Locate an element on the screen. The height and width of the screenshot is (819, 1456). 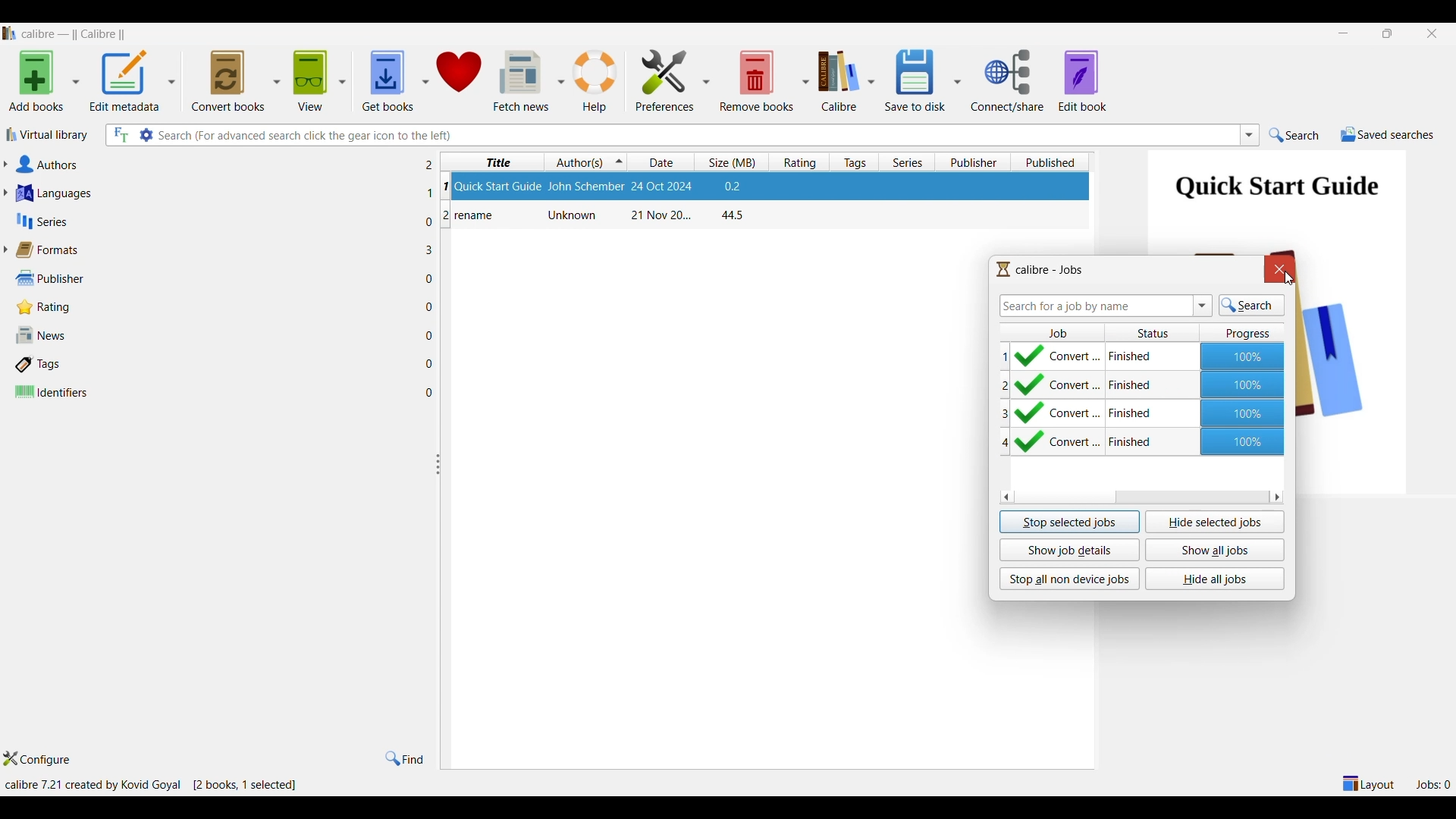
Authors is located at coordinates (213, 164).